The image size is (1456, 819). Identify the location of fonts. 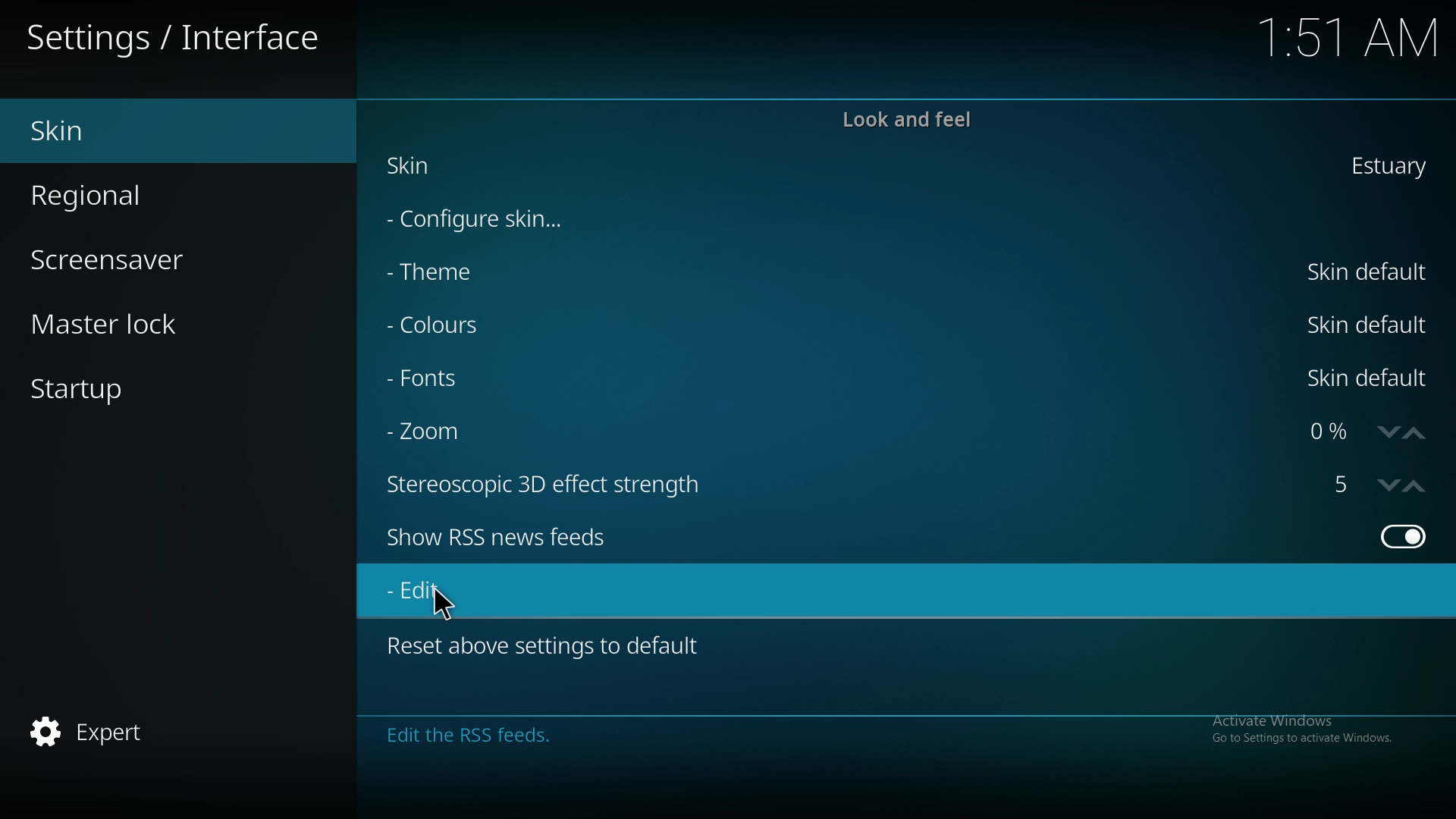
(451, 379).